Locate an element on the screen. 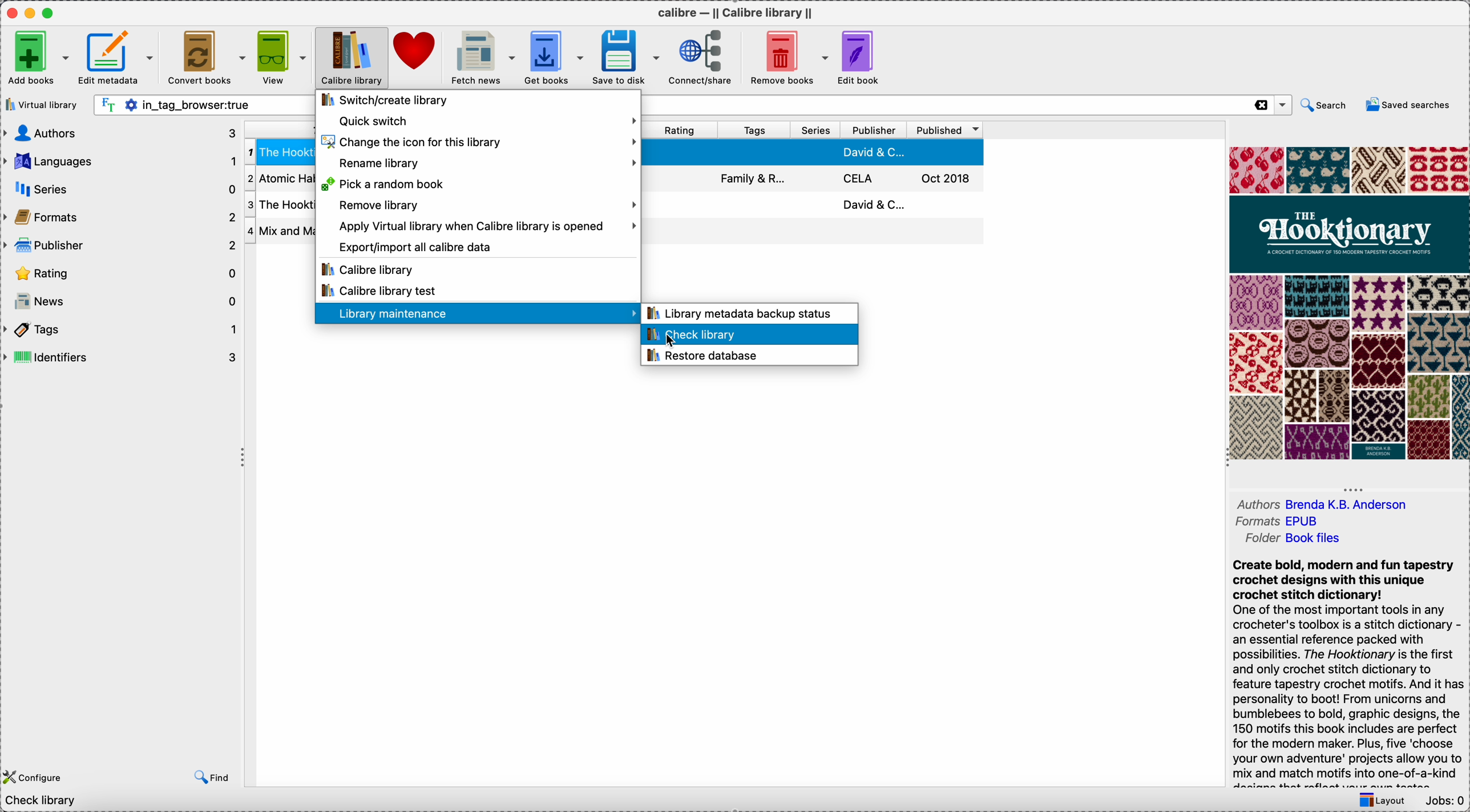 This screenshot has height=812, width=1470. hide is located at coordinates (1354, 487).